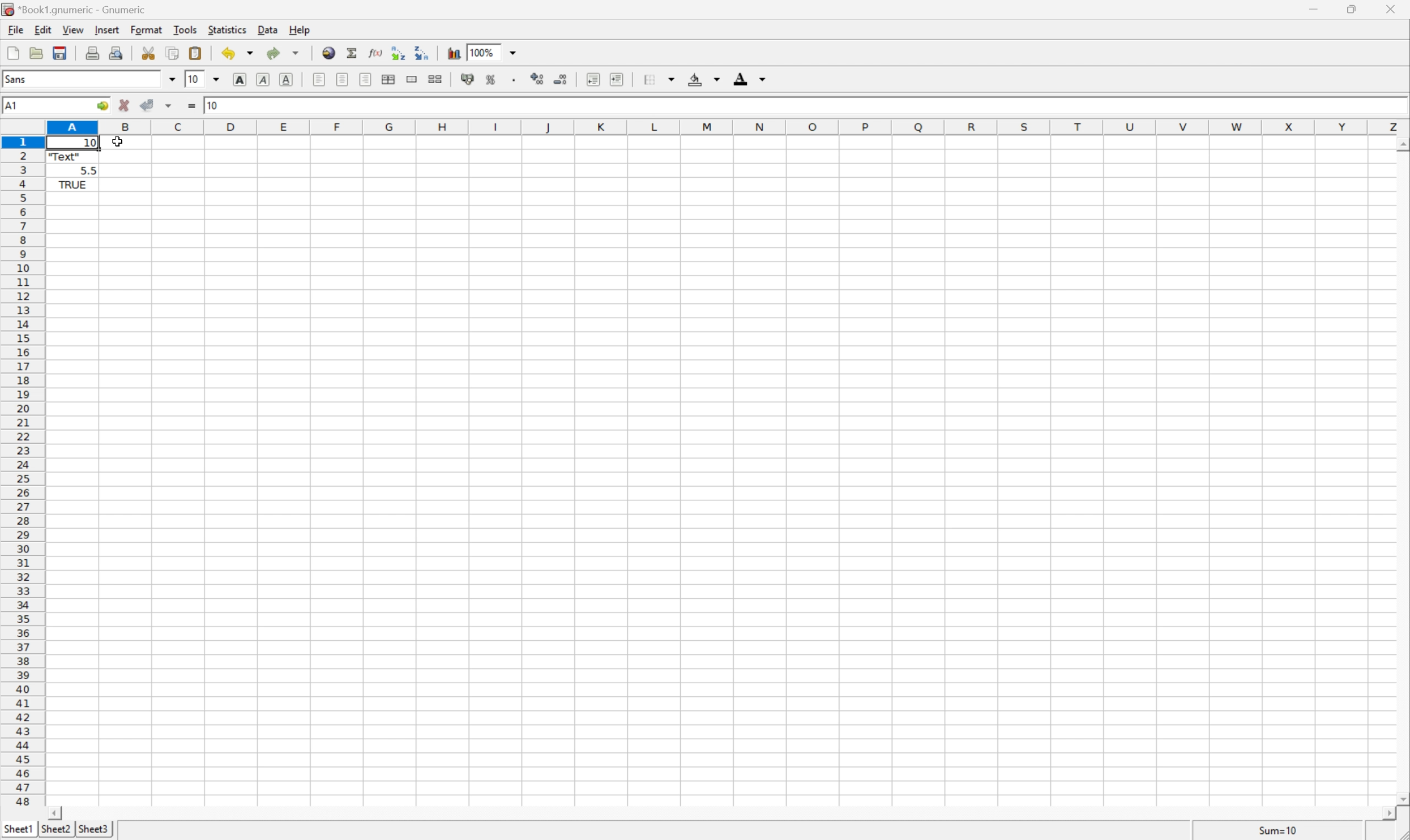 This screenshot has width=1410, height=840. Describe the element at coordinates (72, 186) in the screenshot. I see `TRUE` at that location.